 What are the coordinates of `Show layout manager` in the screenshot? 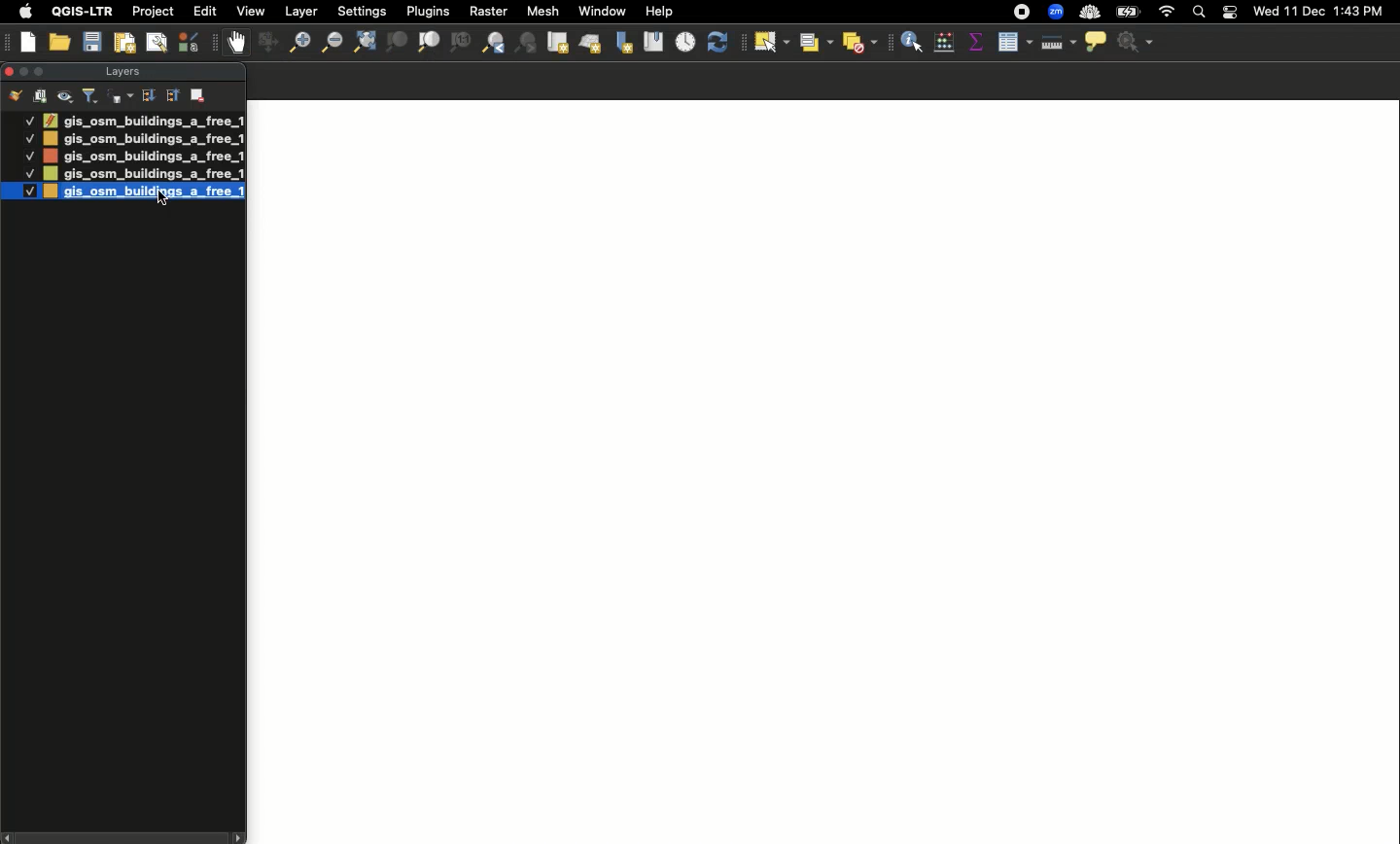 It's located at (156, 43).